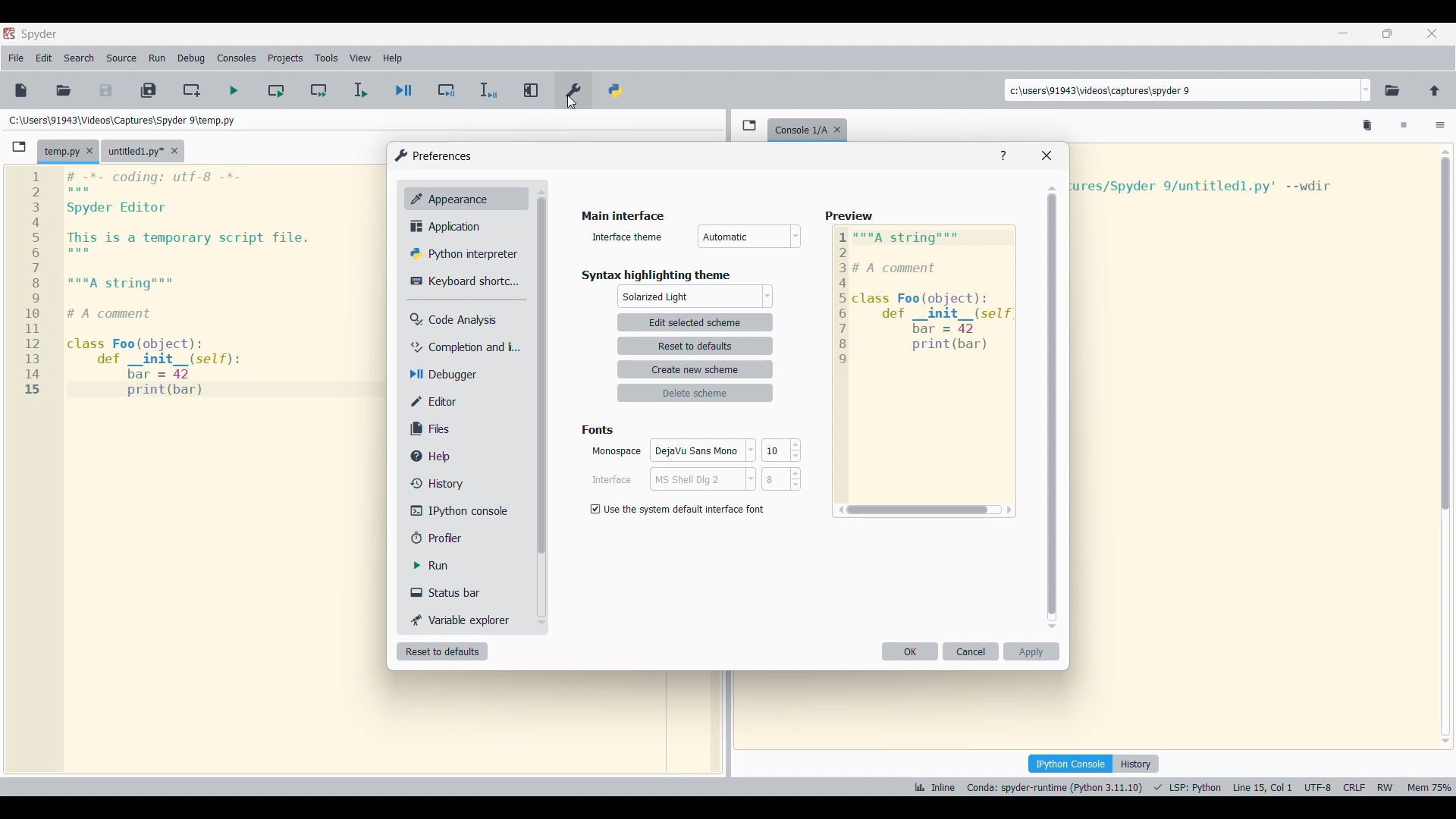  Describe the element at coordinates (465, 347) in the screenshot. I see `Completion and linting` at that location.